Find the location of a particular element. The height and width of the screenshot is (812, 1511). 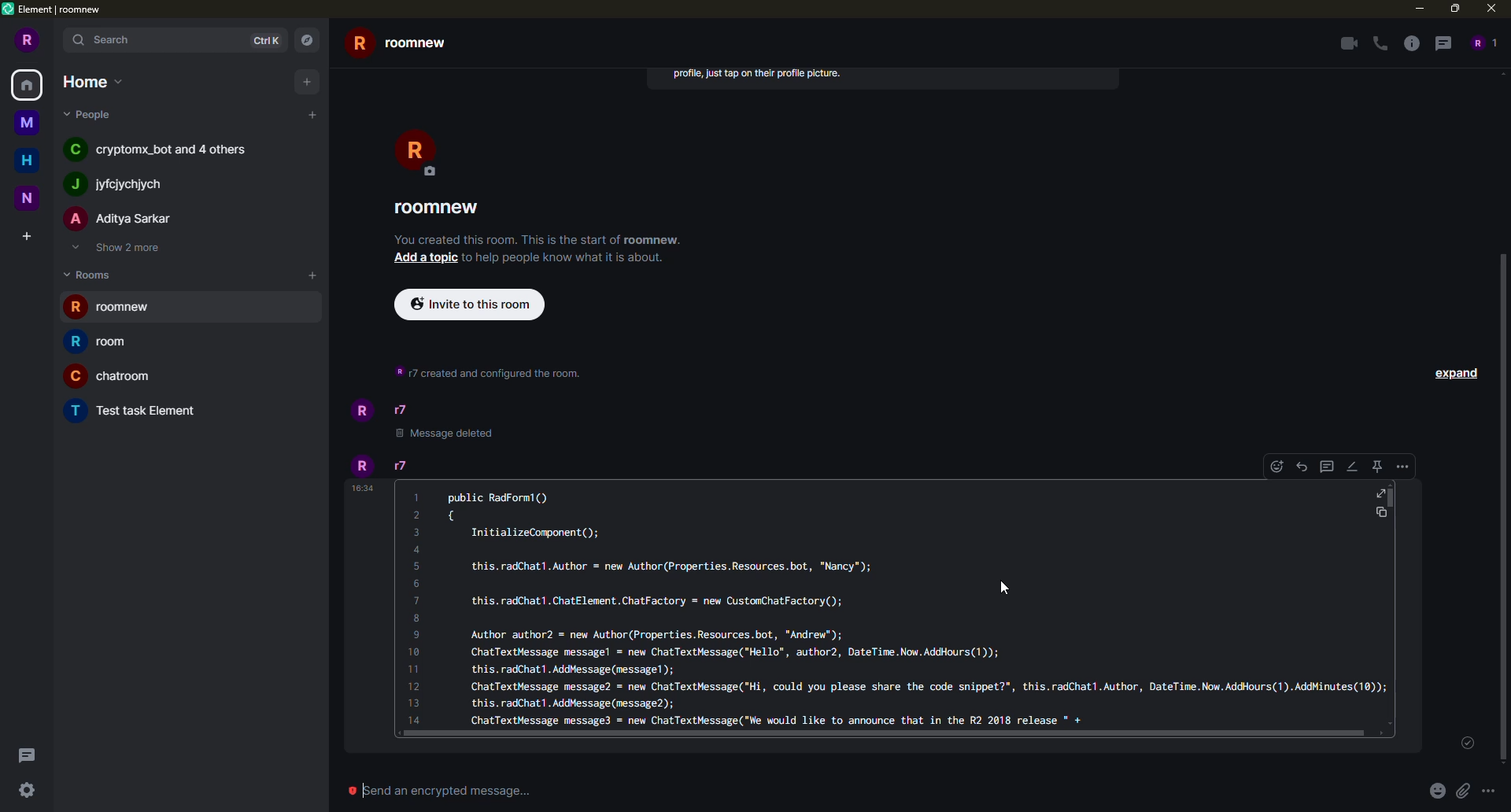

cursor is located at coordinates (1007, 591).